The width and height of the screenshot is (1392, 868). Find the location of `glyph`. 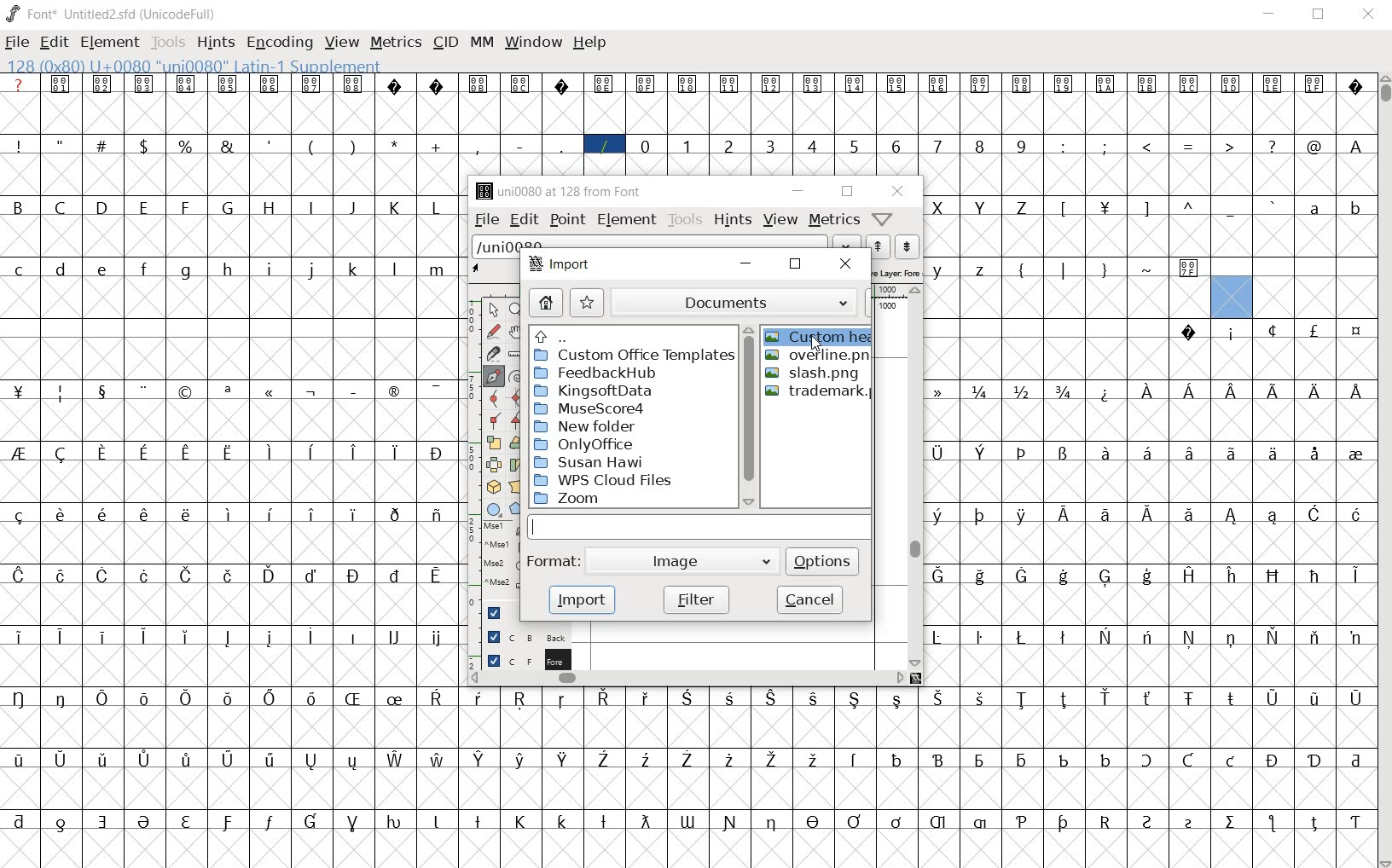

glyph is located at coordinates (1231, 639).